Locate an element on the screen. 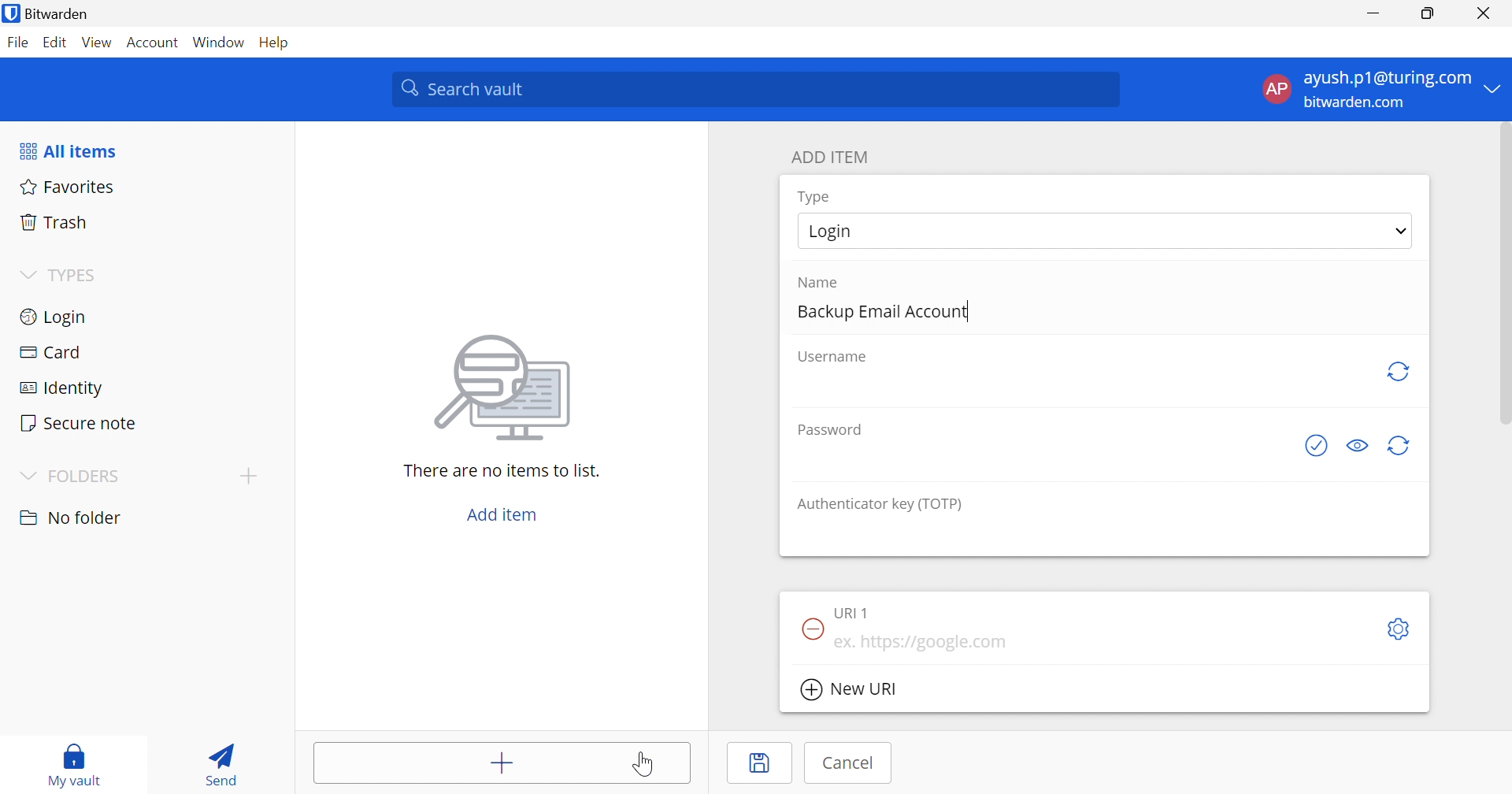 This screenshot has height=794, width=1512. Generate password is located at coordinates (1403, 447).